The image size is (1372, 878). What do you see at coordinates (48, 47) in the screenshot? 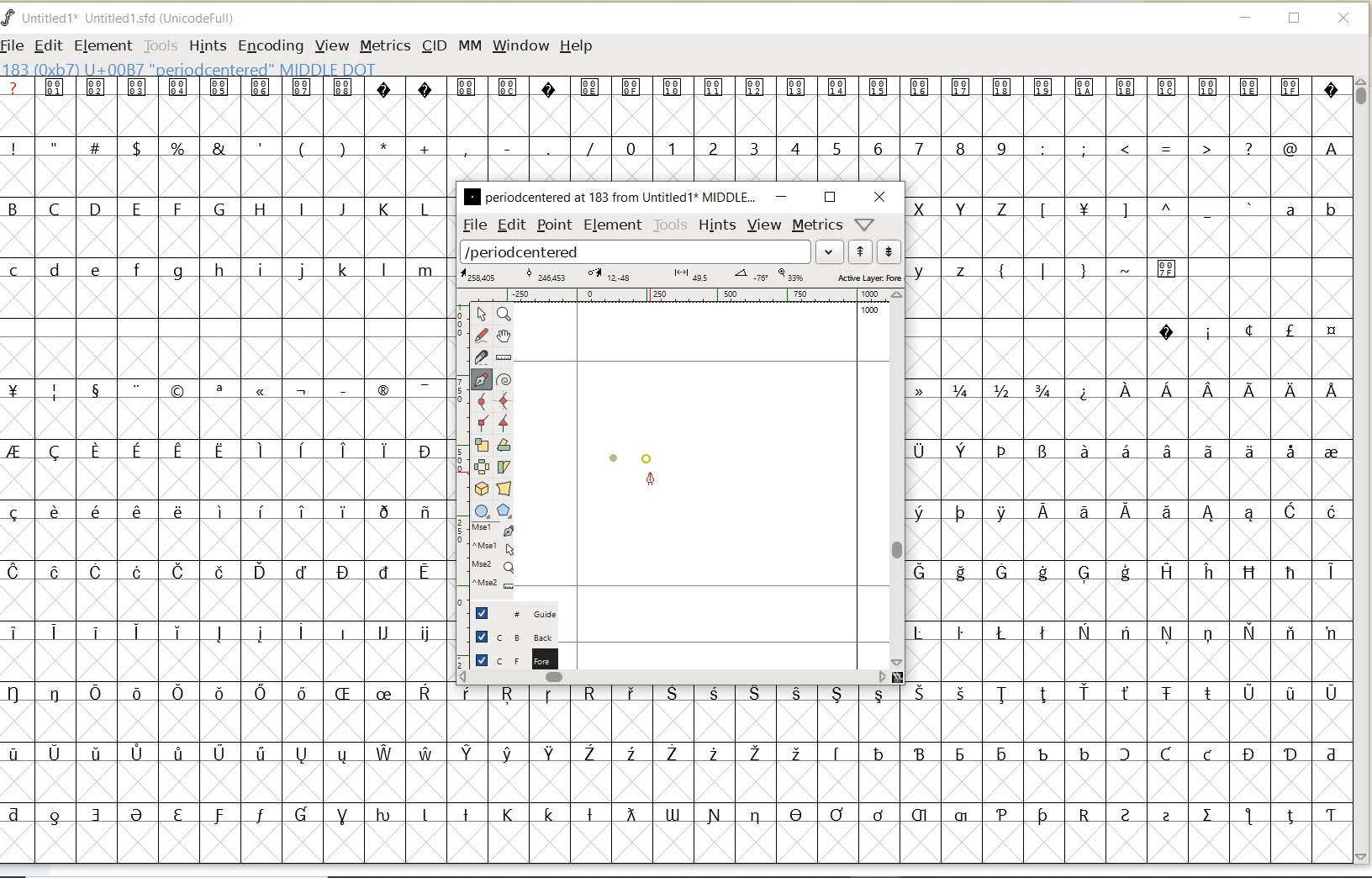
I see `EDIT` at bounding box center [48, 47].